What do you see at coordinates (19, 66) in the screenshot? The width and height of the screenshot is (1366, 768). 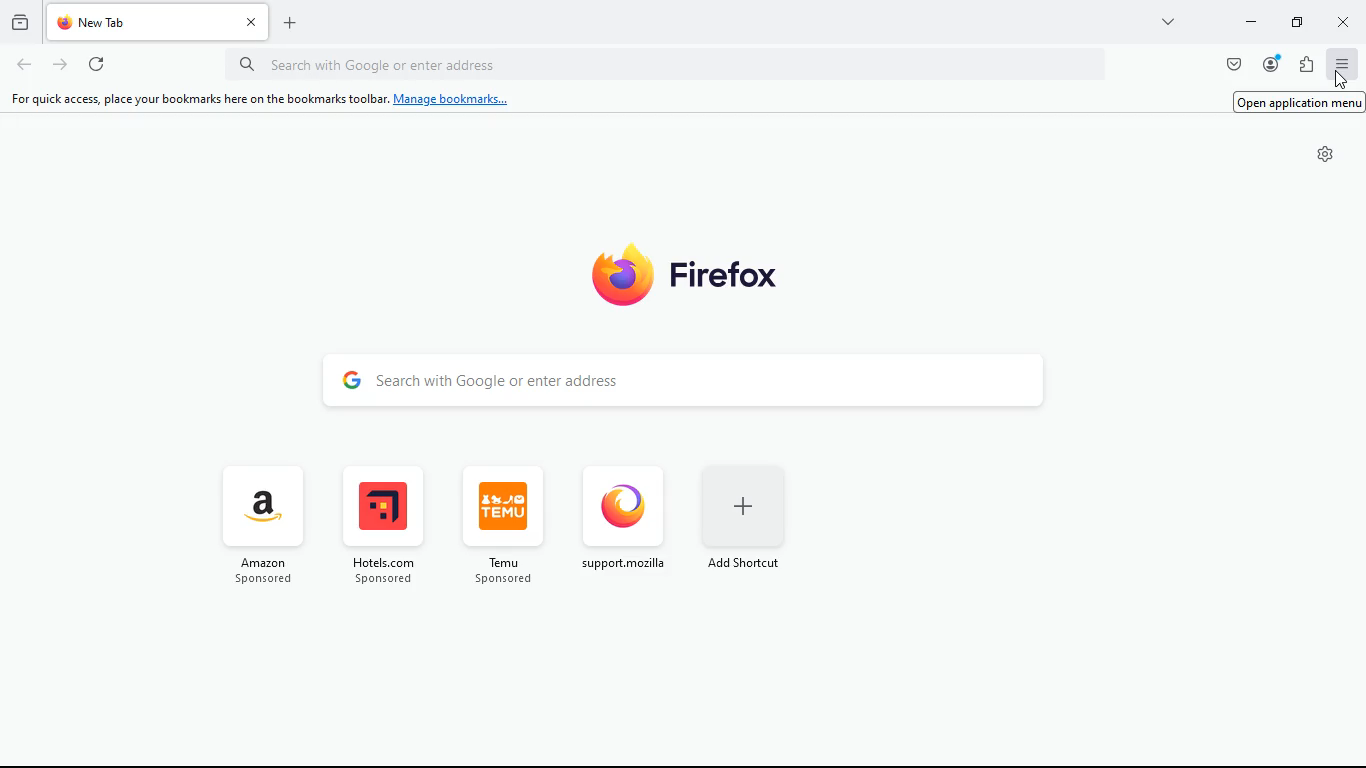 I see `back` at bounding box center [19, 66].